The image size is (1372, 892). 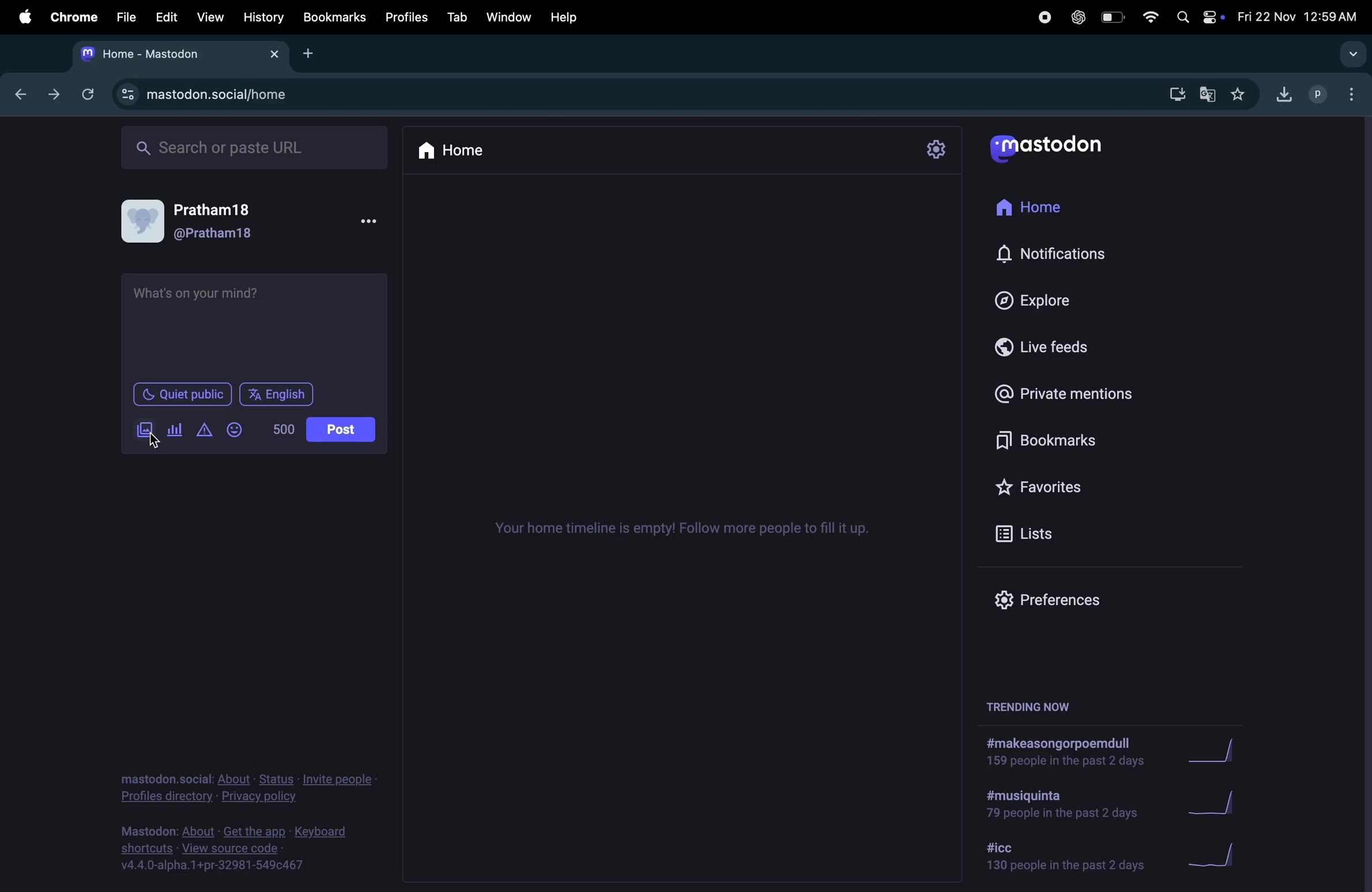 I want to click on prefrences, so click(x=1063, y=596).